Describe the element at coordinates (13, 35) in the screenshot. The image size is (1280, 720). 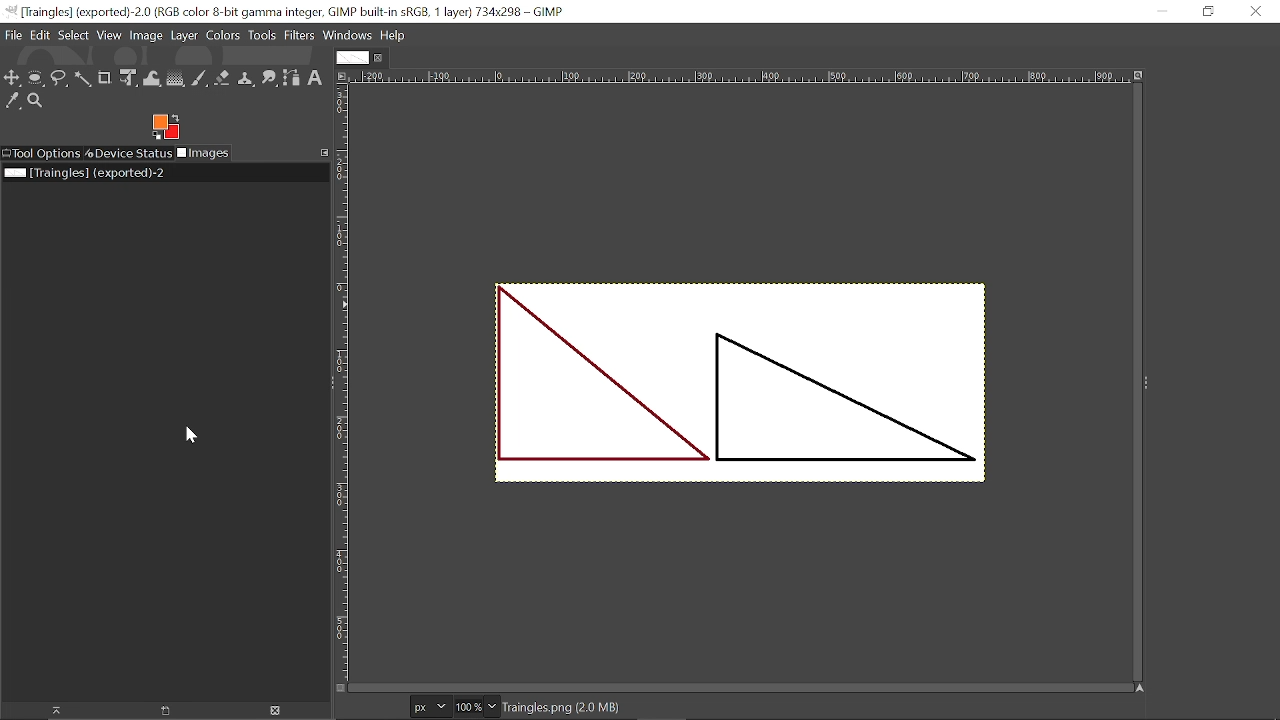
I see `File` at that location.